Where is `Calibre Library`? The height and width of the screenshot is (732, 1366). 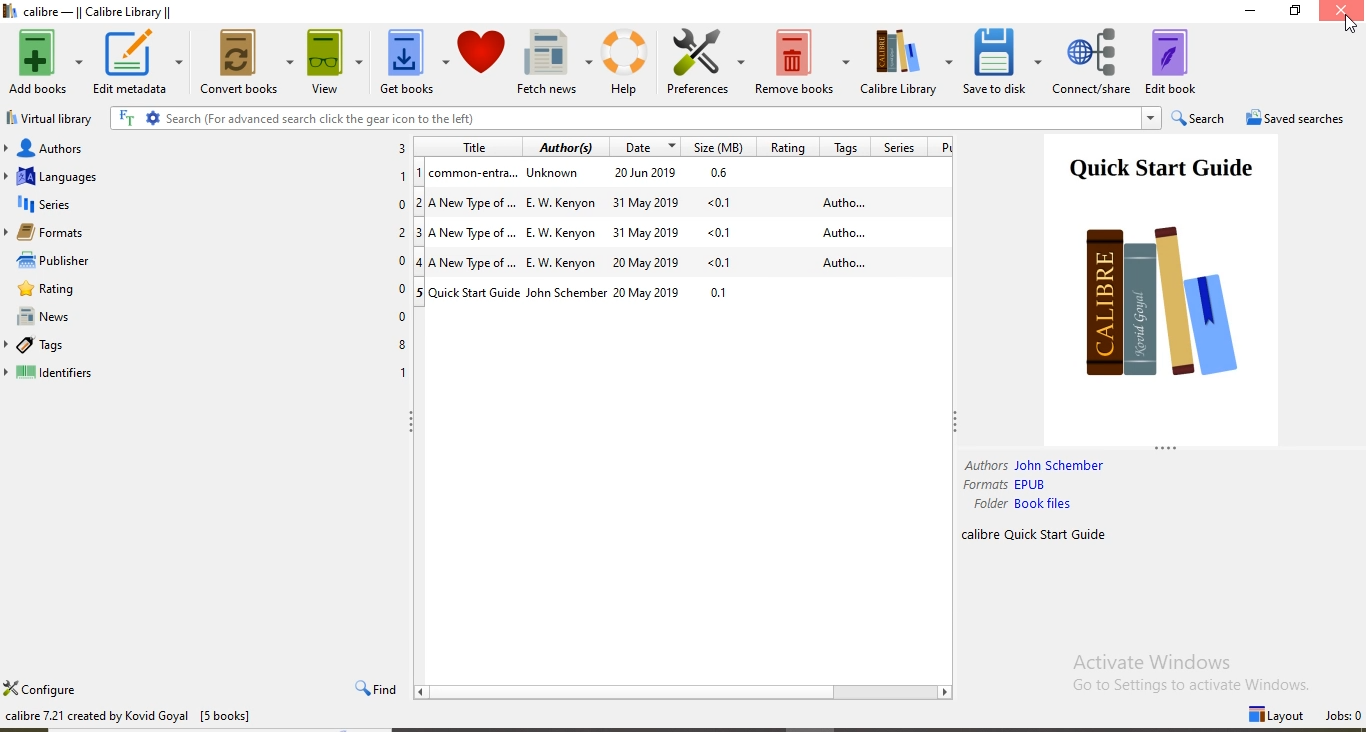
Calibre Library is located at coordinates (908, 62).